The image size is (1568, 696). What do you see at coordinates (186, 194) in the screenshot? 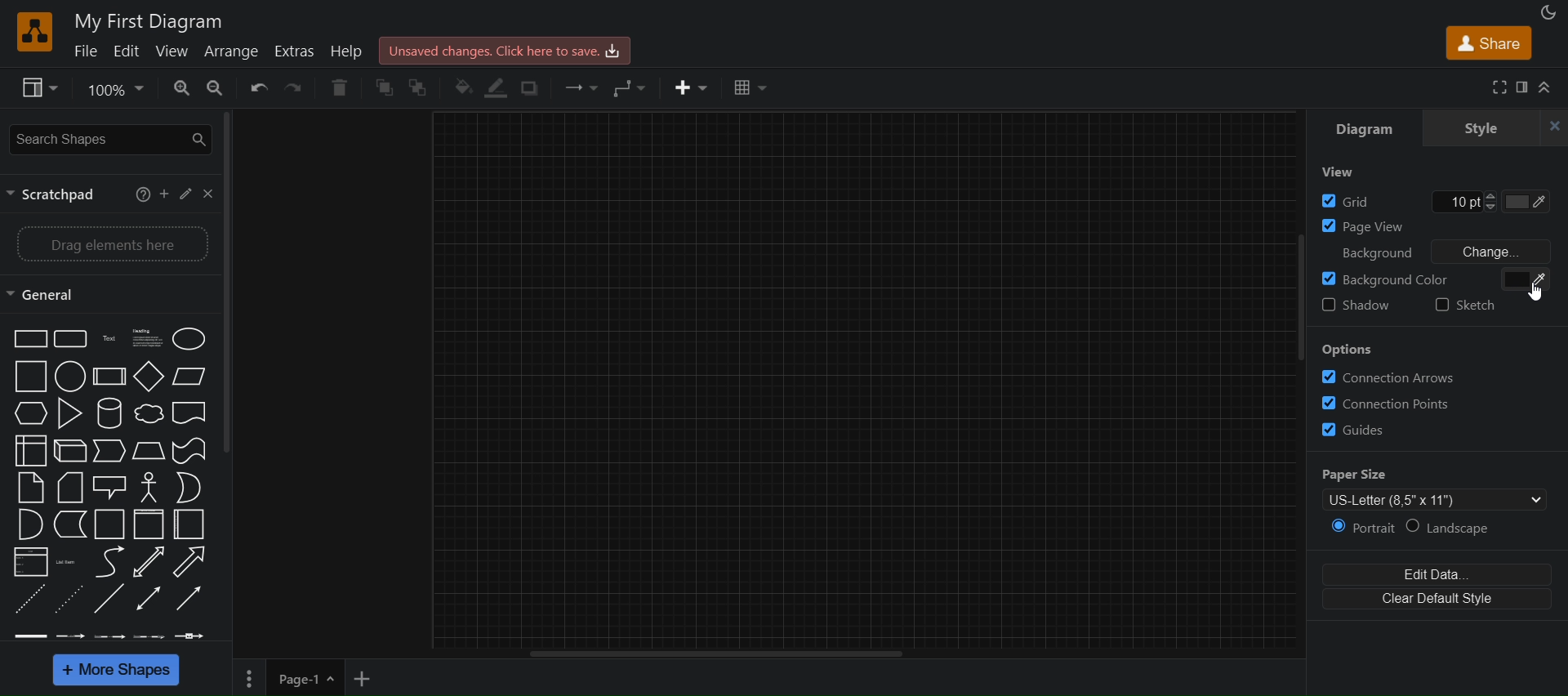
I see `edit` at bounding box center [186, 194].